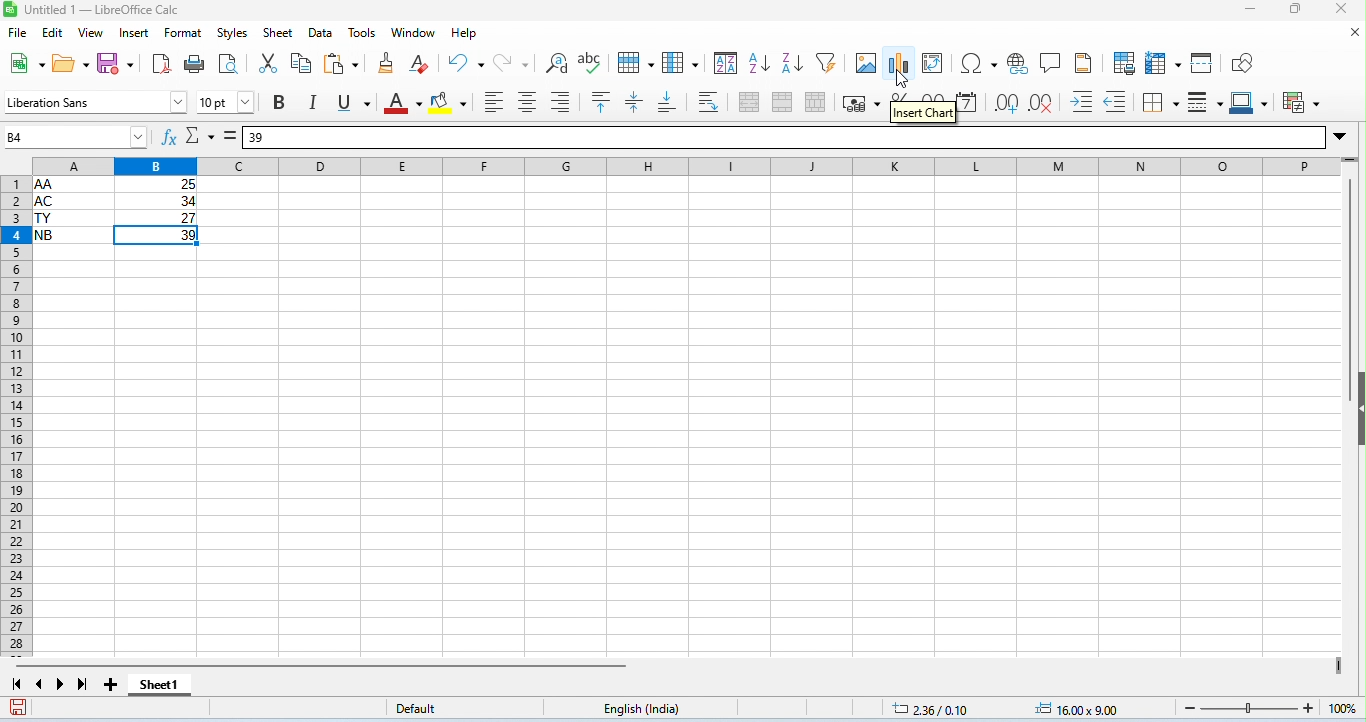 The height and width of the screenshot is (722, 1366). I want to click on add decimal, so click(1007, 105).